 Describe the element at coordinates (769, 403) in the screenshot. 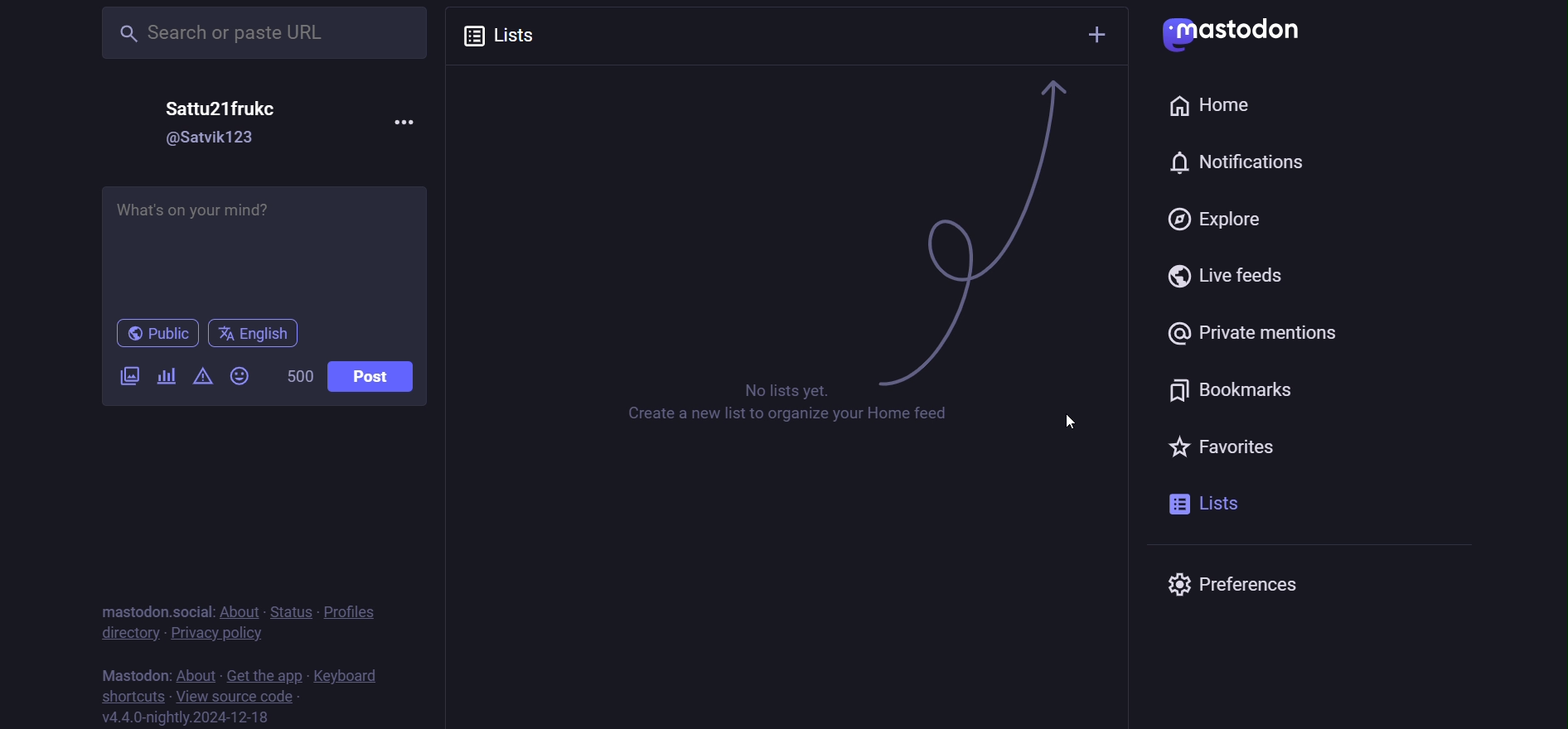

I see `instruction` at that location.